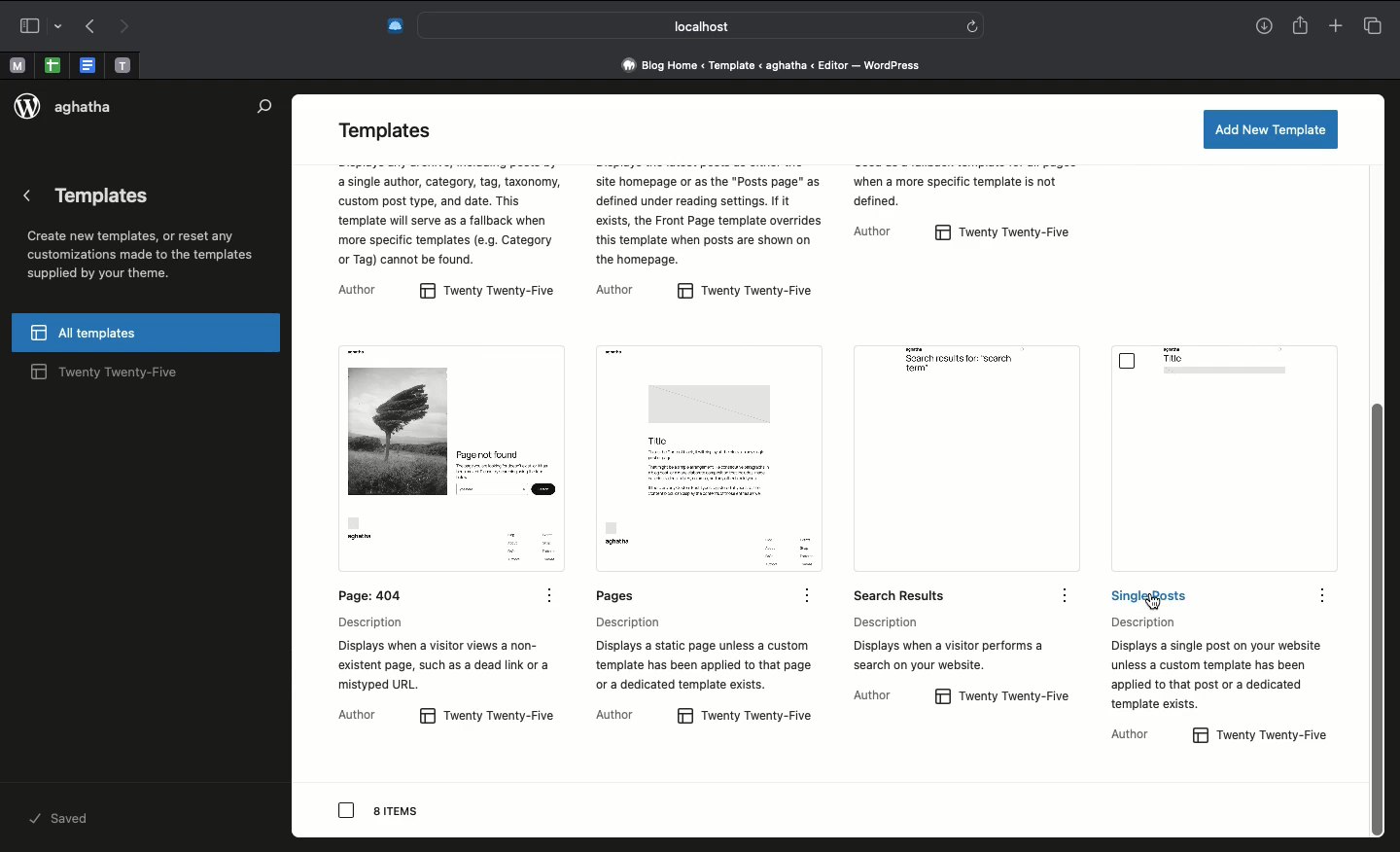 The width and height of the screenshot is (1400, 852). I want to click on twenty twenty-five, so click(489, 715).